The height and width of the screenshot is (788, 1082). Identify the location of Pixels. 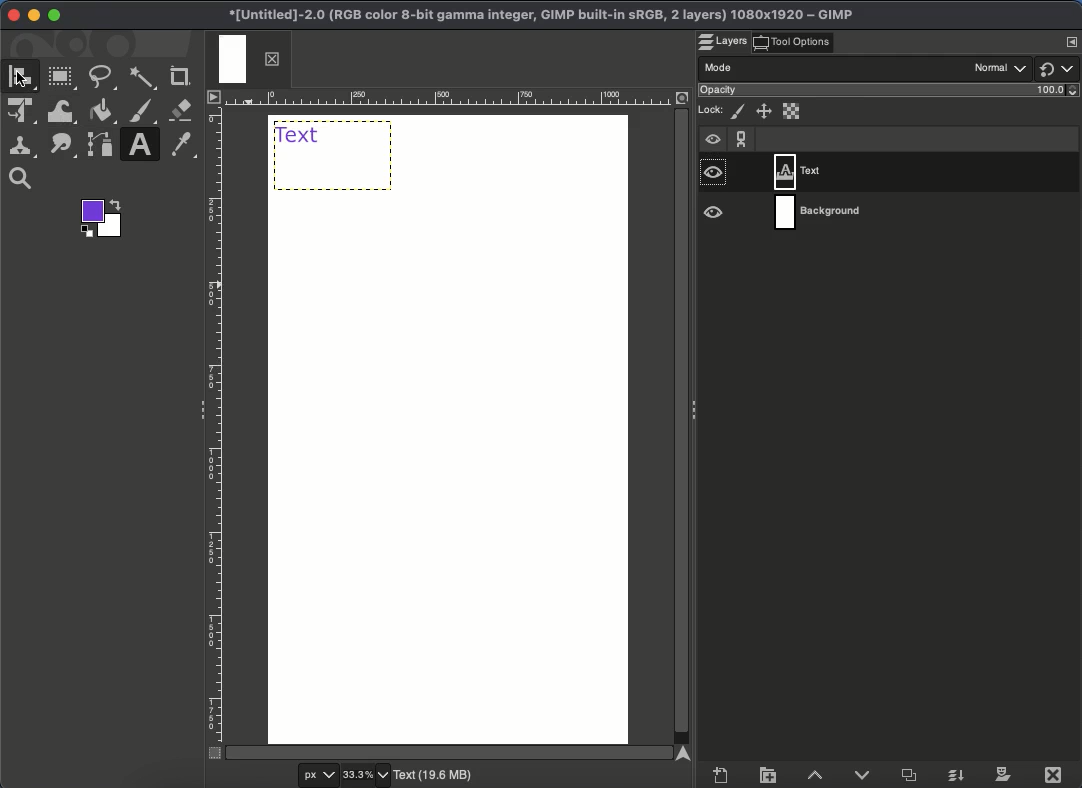
(738, 112).